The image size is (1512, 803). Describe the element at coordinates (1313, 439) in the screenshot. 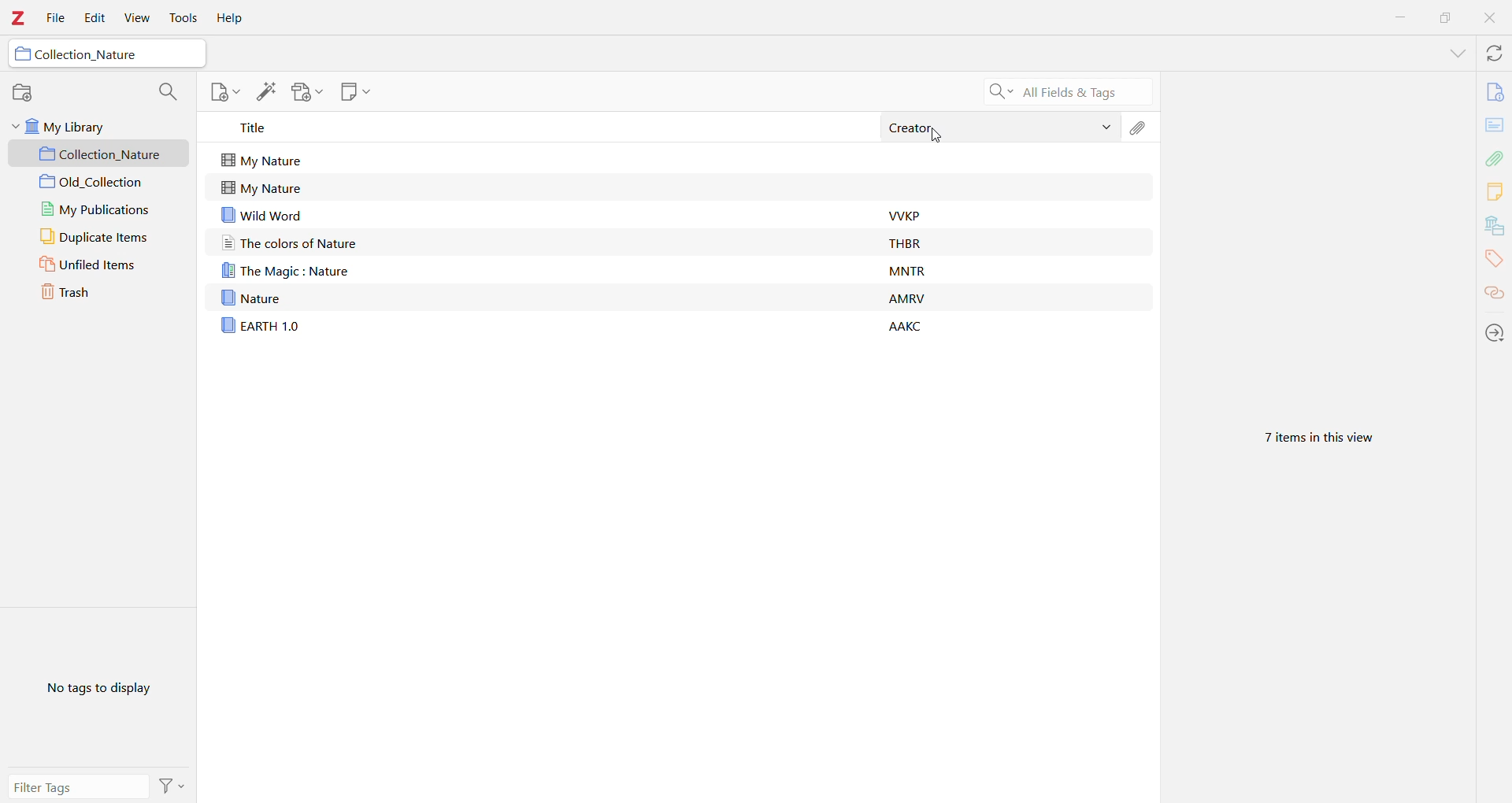

I see `Number of items in this view` at that location.